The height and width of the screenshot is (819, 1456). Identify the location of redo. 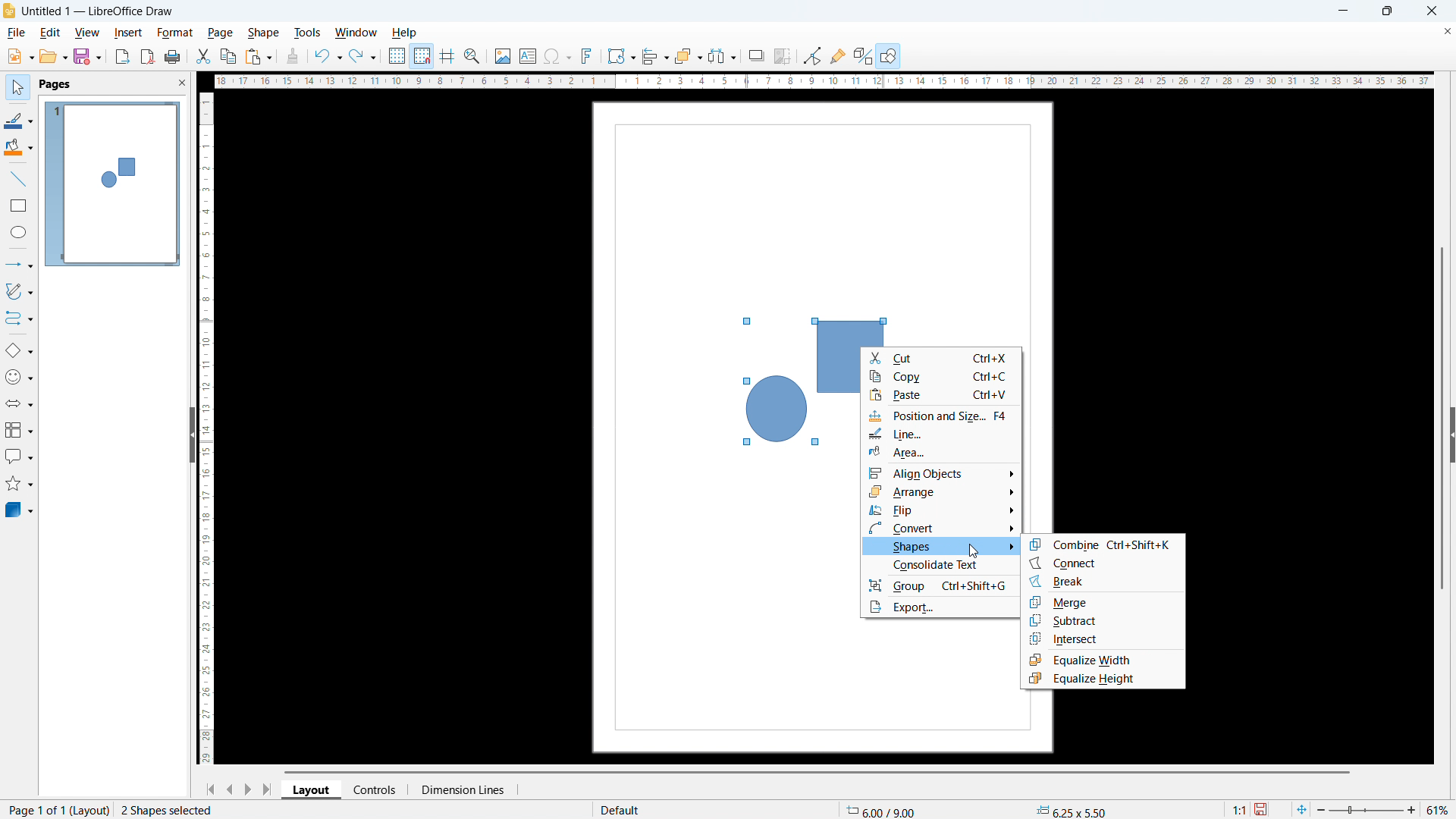
(364, 57).